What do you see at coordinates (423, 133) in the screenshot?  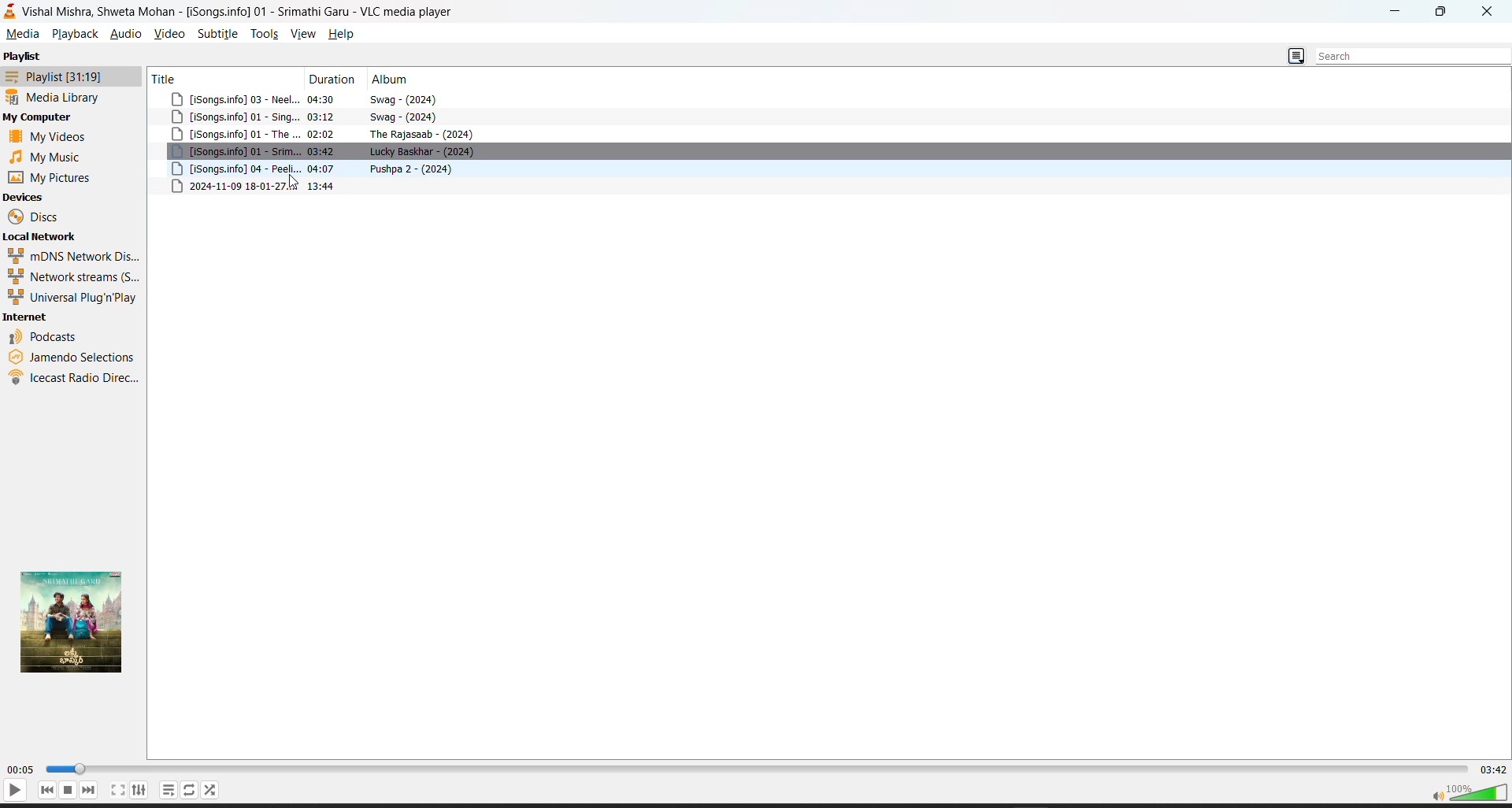 I see `the rajasaab- 2024` at bounding box center [423, 133].